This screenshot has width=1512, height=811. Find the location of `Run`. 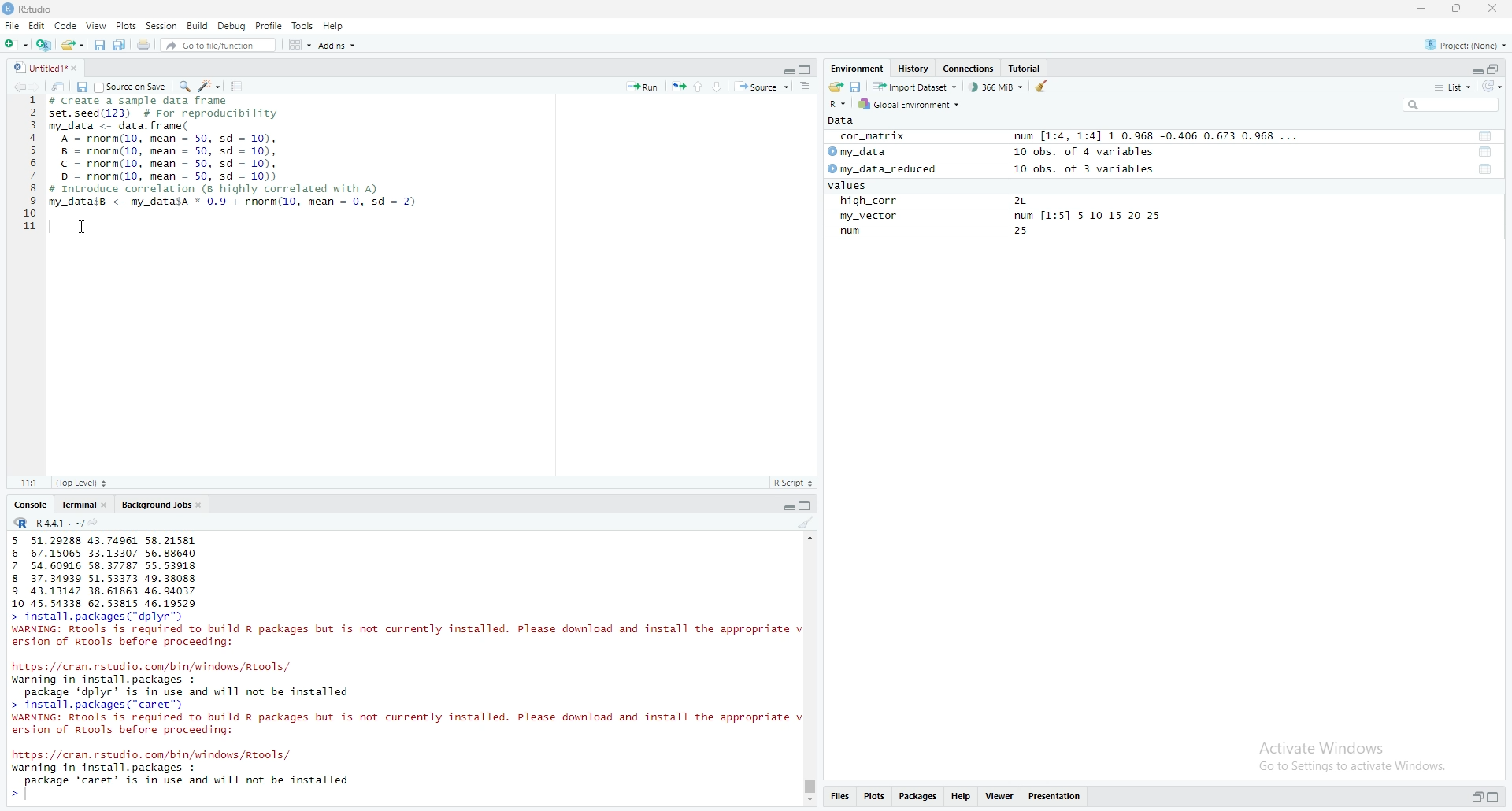

Run is located at coordinates (644, 87).